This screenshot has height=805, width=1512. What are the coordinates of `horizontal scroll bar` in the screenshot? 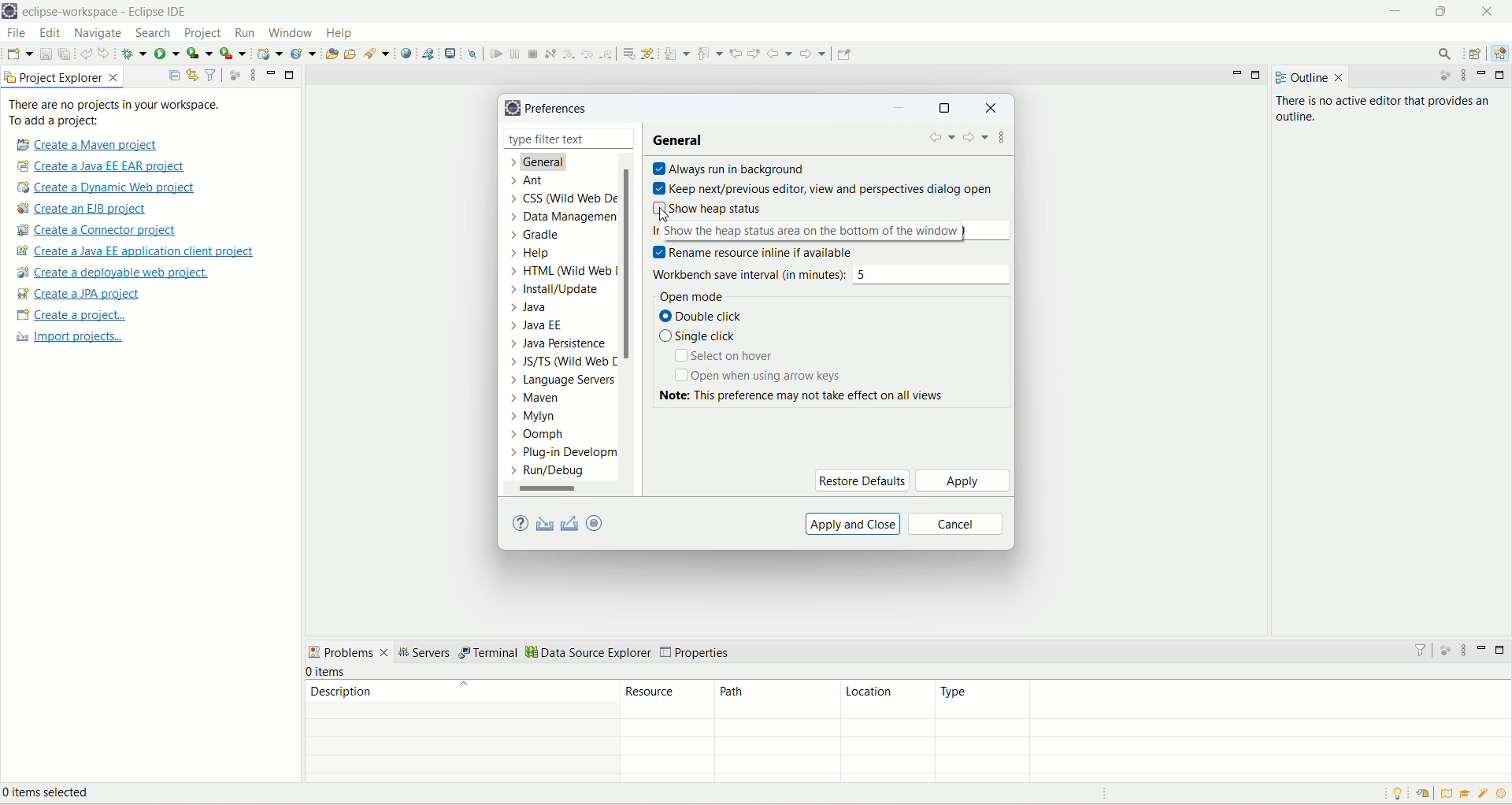 It's located at (559, 489).